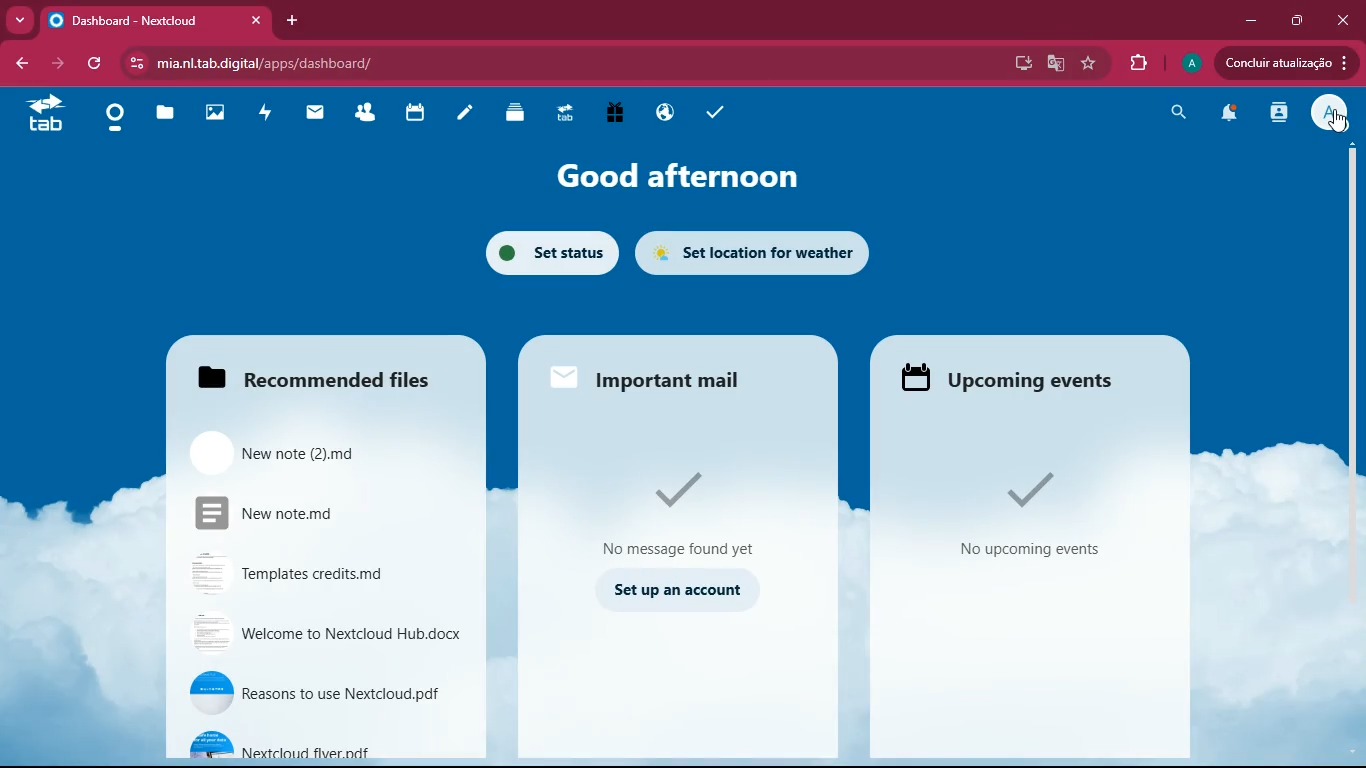 The height and width of the screenshot is (768, 1366). I want to click on Templates credits.md, so click(289, 573).